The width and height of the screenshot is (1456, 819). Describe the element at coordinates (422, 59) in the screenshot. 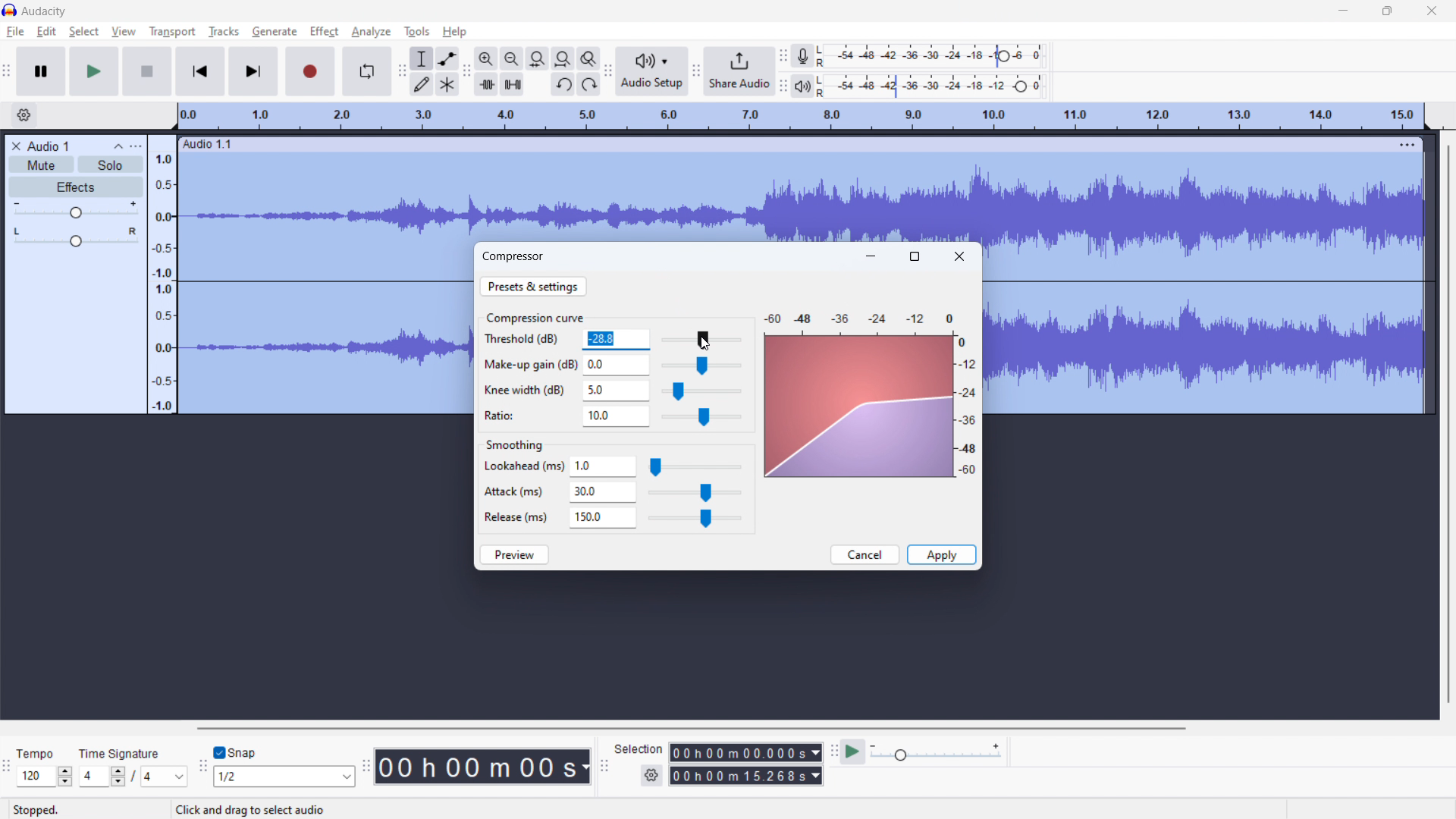

I see `selection tool` at that location.